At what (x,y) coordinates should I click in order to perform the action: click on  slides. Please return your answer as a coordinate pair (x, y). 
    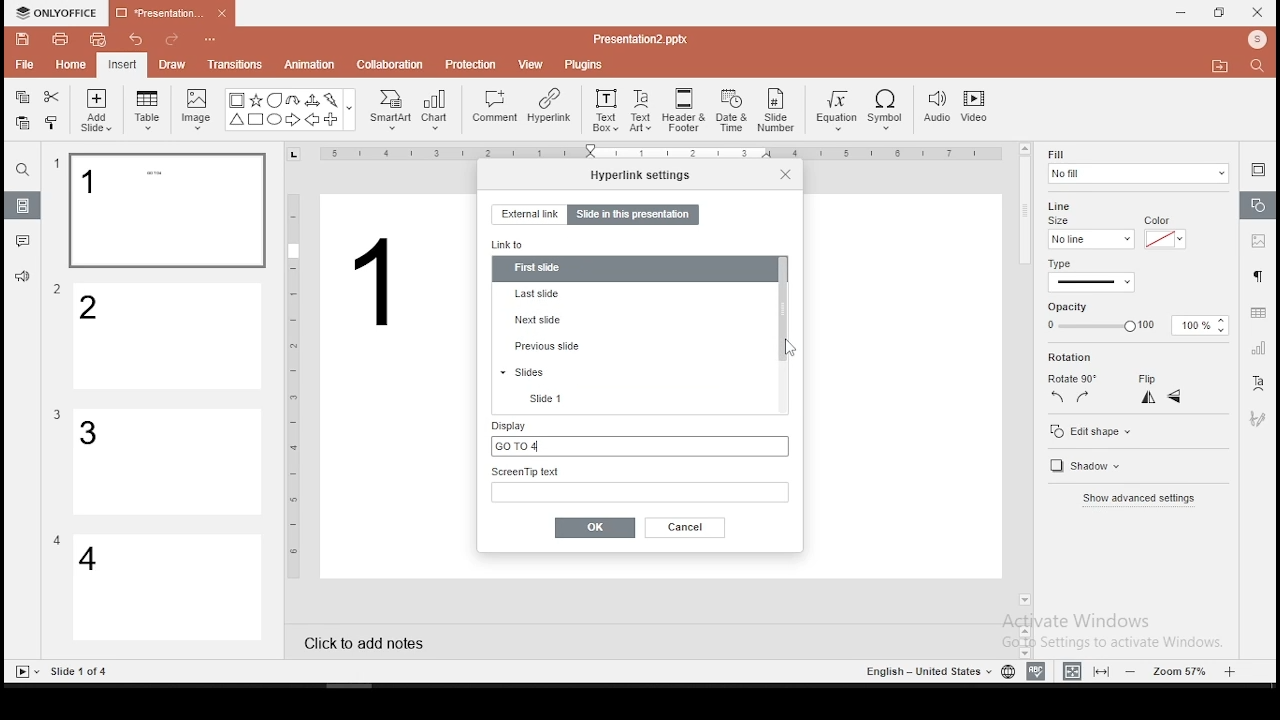
    Looking at the image, I should click on (633, 373).